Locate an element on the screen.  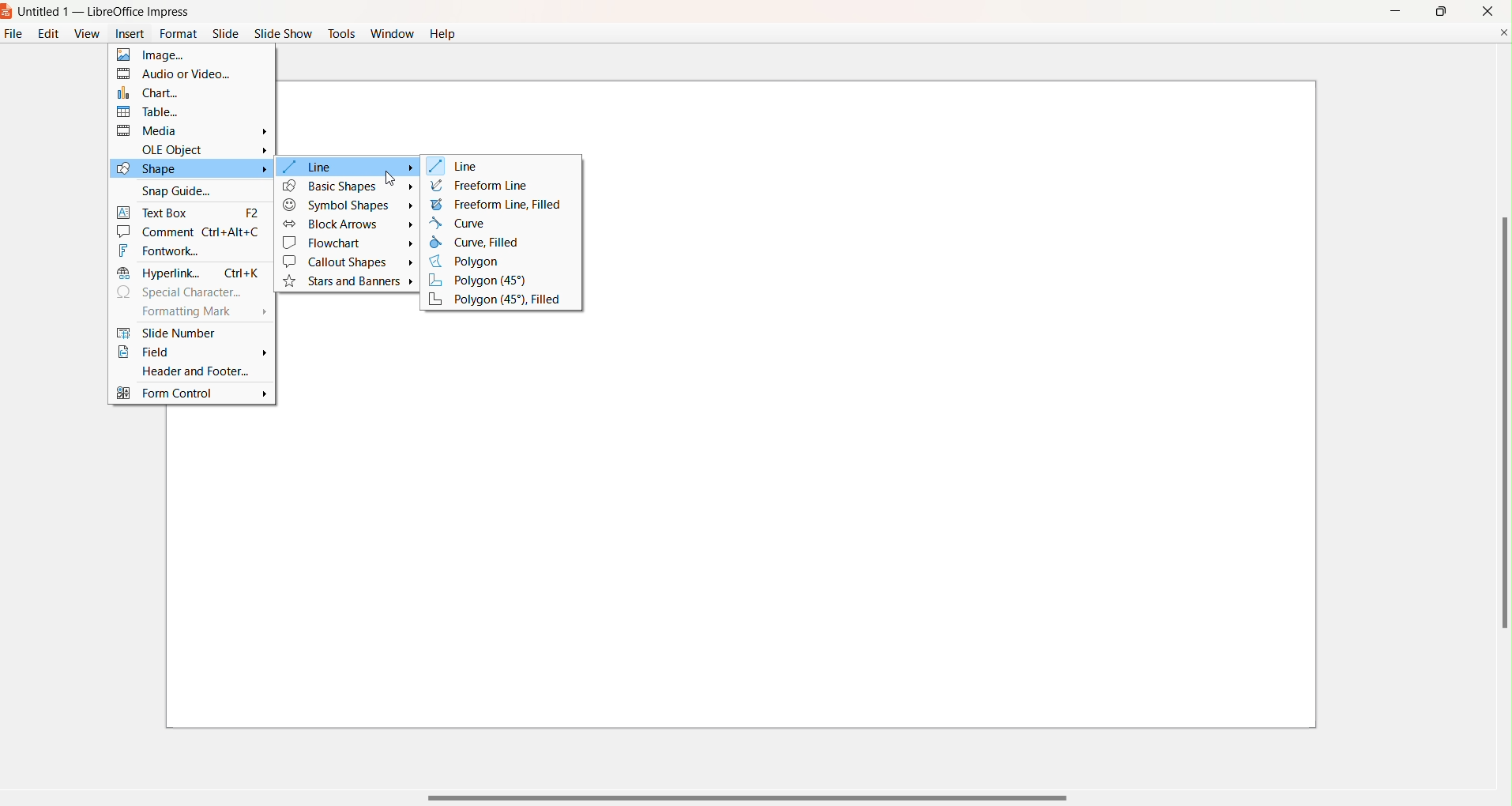
Line is located at coordinates (460, 167).